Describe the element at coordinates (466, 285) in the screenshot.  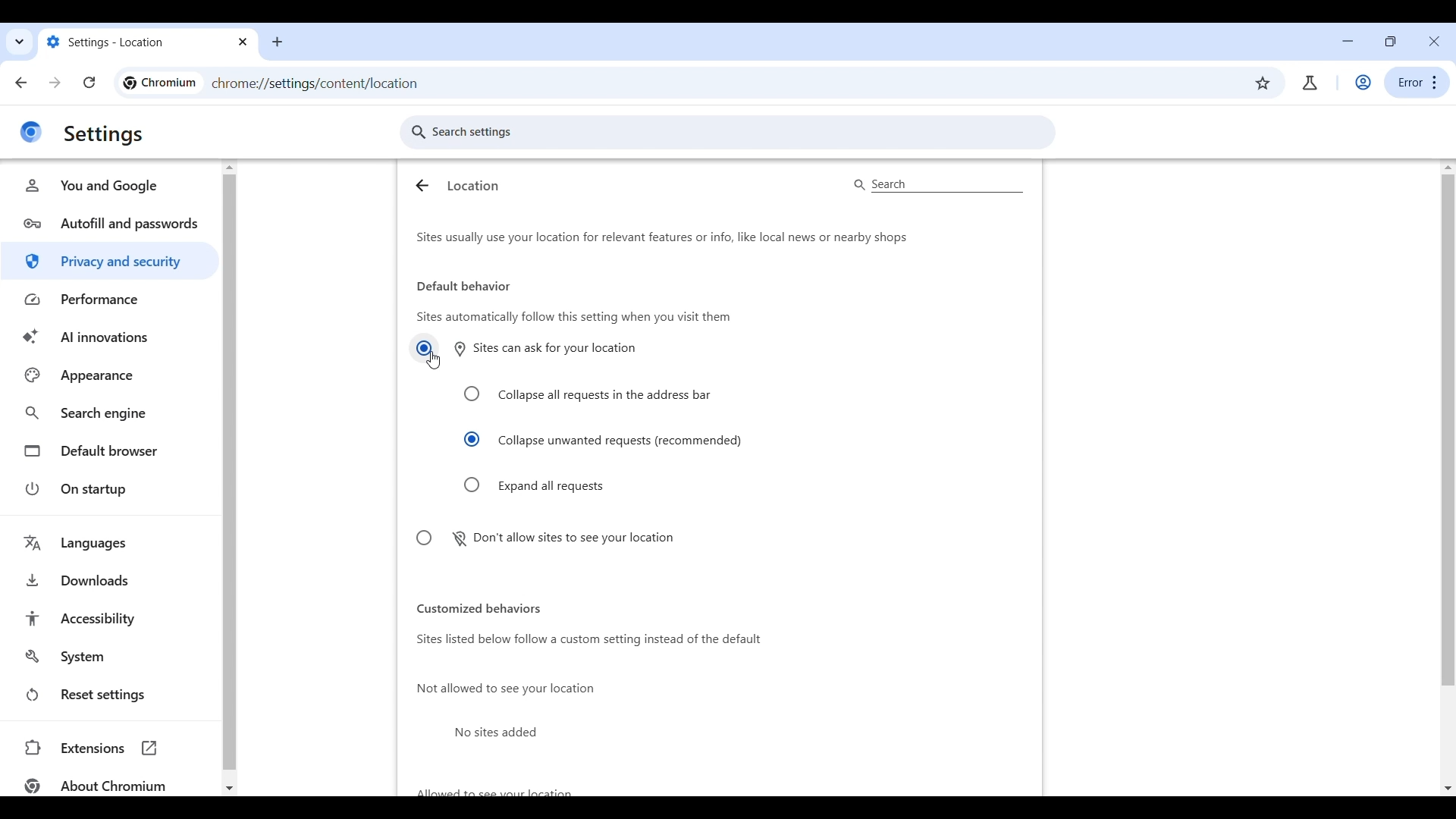
I see `default behavior` at that location.